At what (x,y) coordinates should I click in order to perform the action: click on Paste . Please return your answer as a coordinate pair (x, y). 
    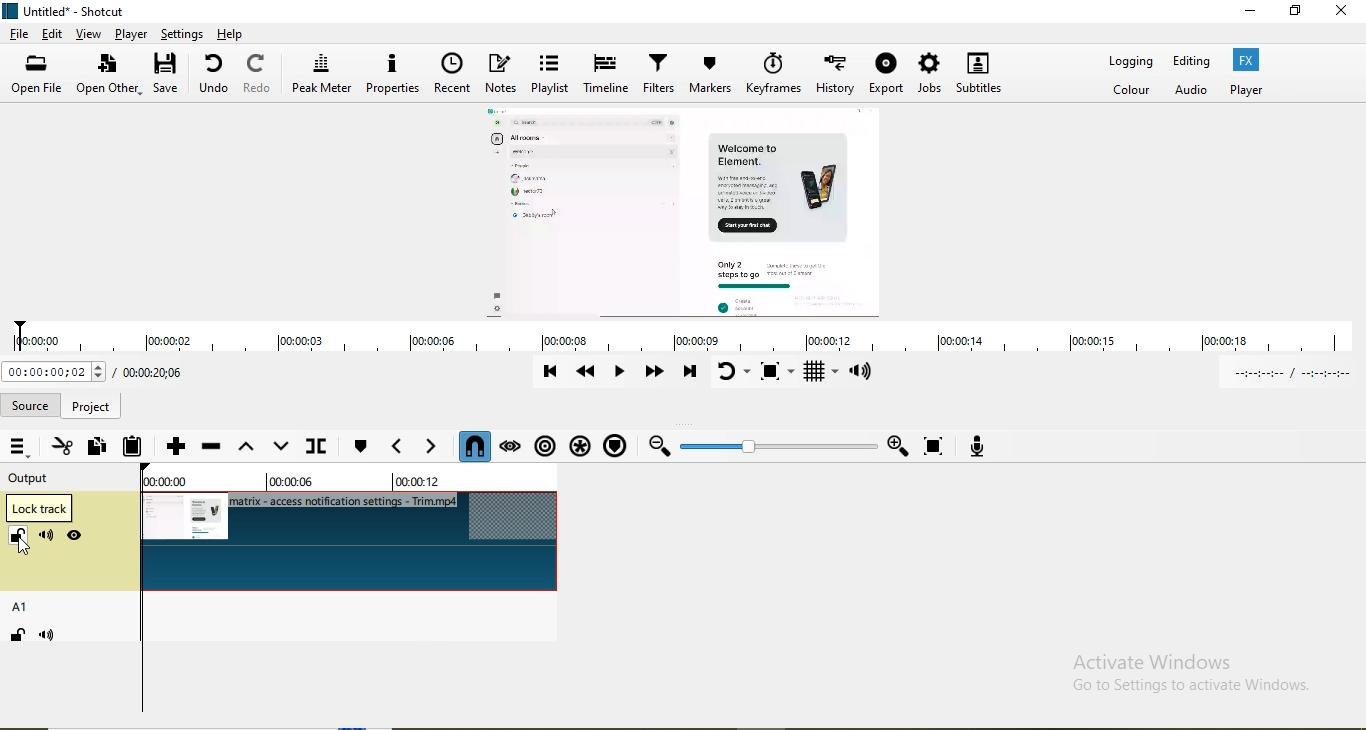
    Looking at the image, I should click on (131, 448).